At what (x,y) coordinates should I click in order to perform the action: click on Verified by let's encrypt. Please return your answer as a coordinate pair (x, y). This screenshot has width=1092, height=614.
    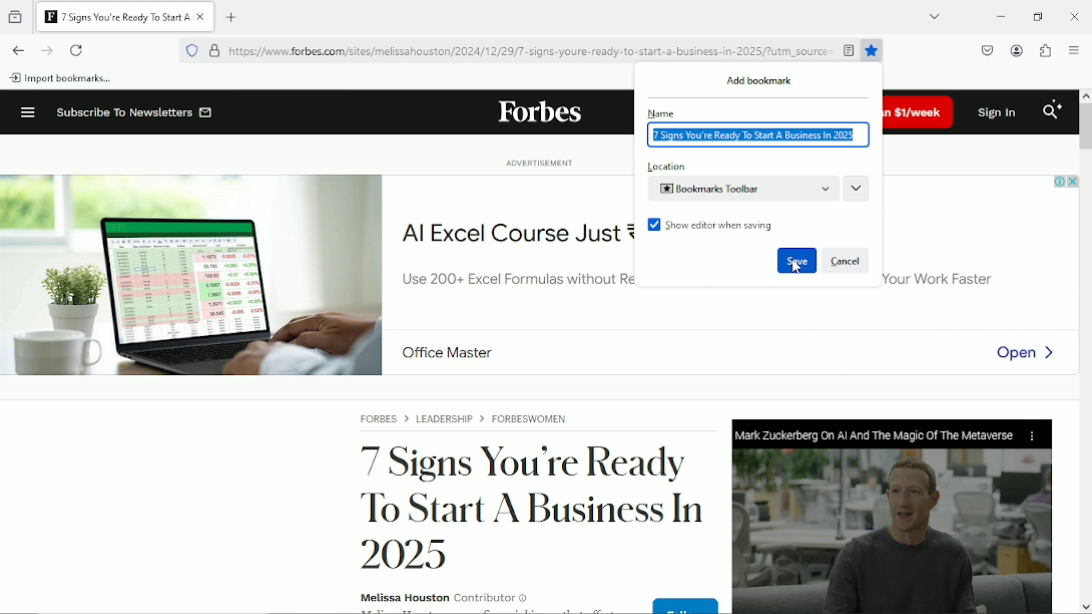
    Looking at the image, I should click on (214, 51).